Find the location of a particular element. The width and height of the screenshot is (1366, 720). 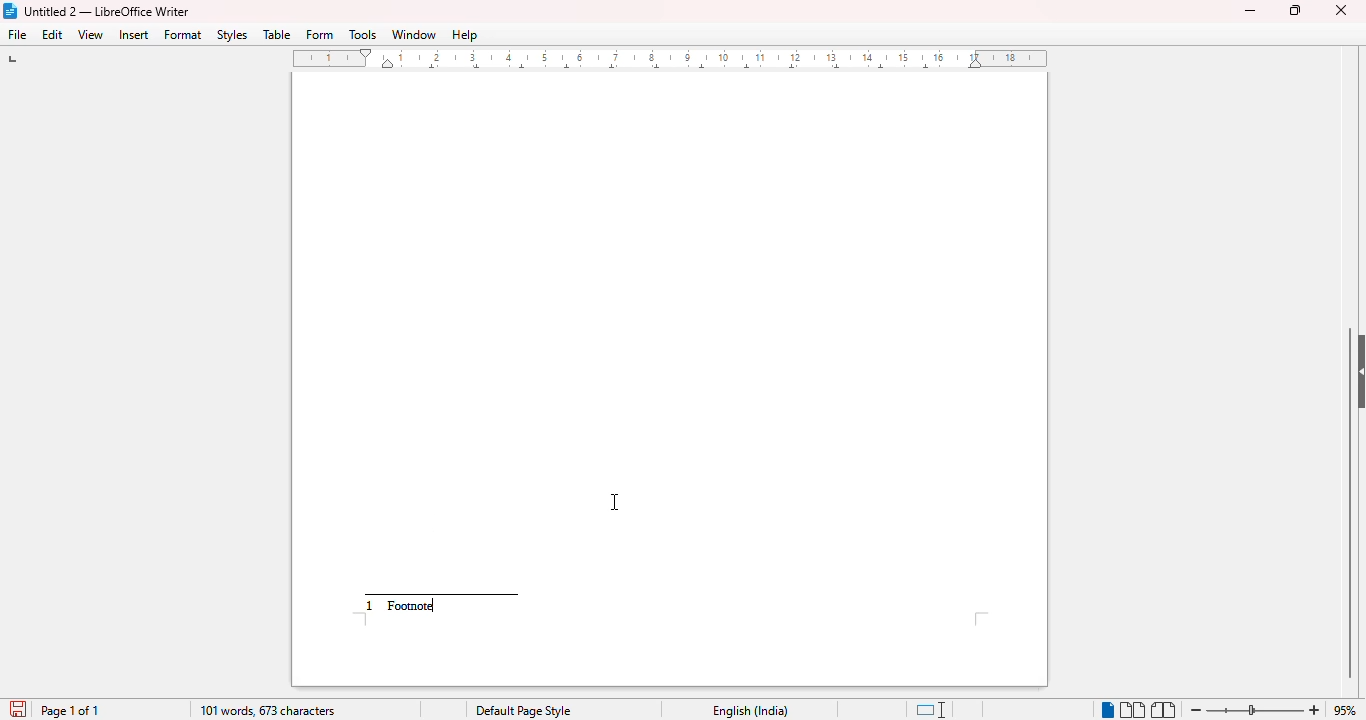

help is located at coordinates (464, 35).